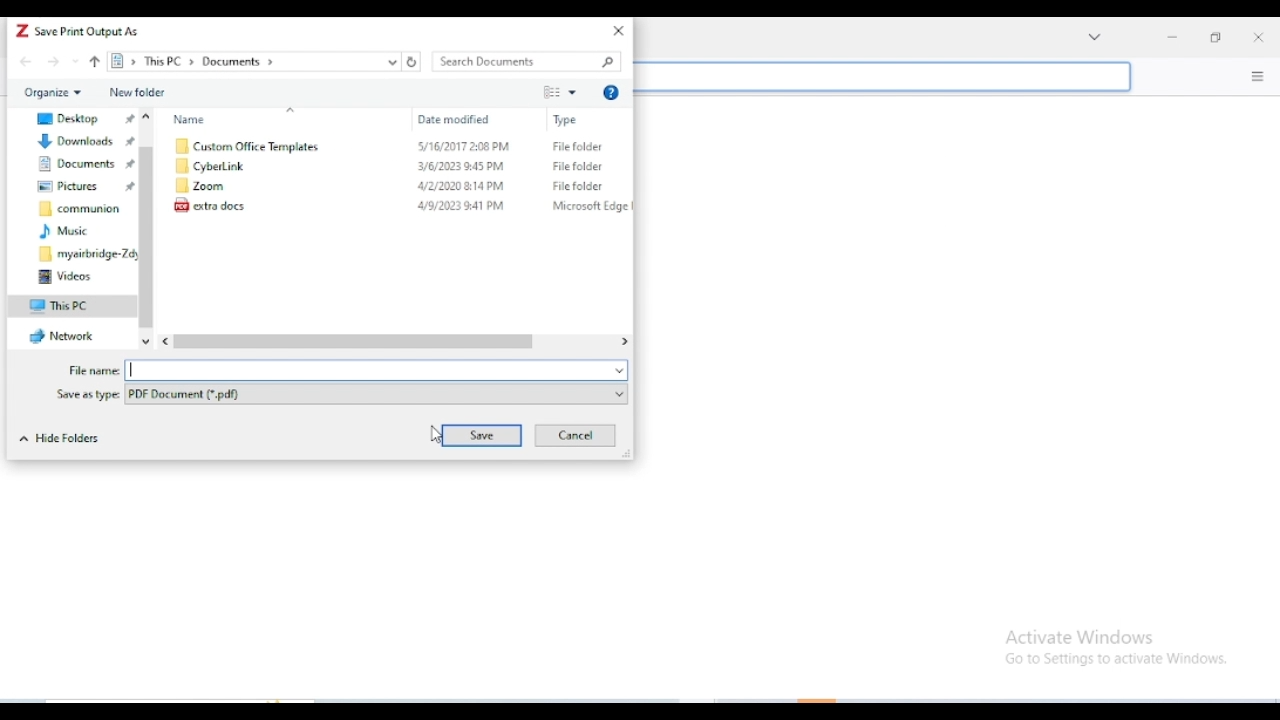  Describe the element at coordinates (245, 146) in the screenshot. I see `Custom Office Templates folder` at that location.